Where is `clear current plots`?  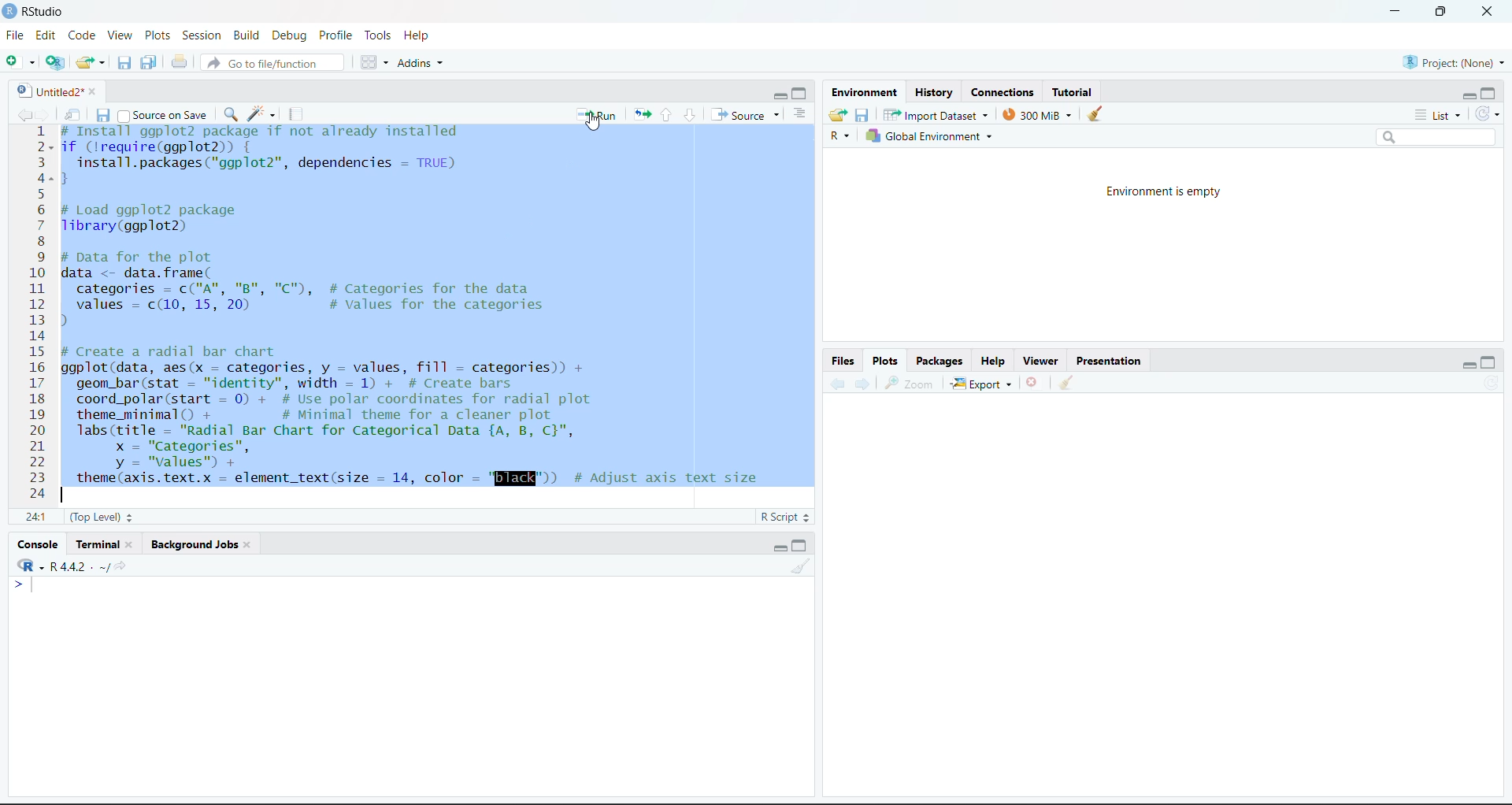 clear current plots is located at coordinates (1032, 382).